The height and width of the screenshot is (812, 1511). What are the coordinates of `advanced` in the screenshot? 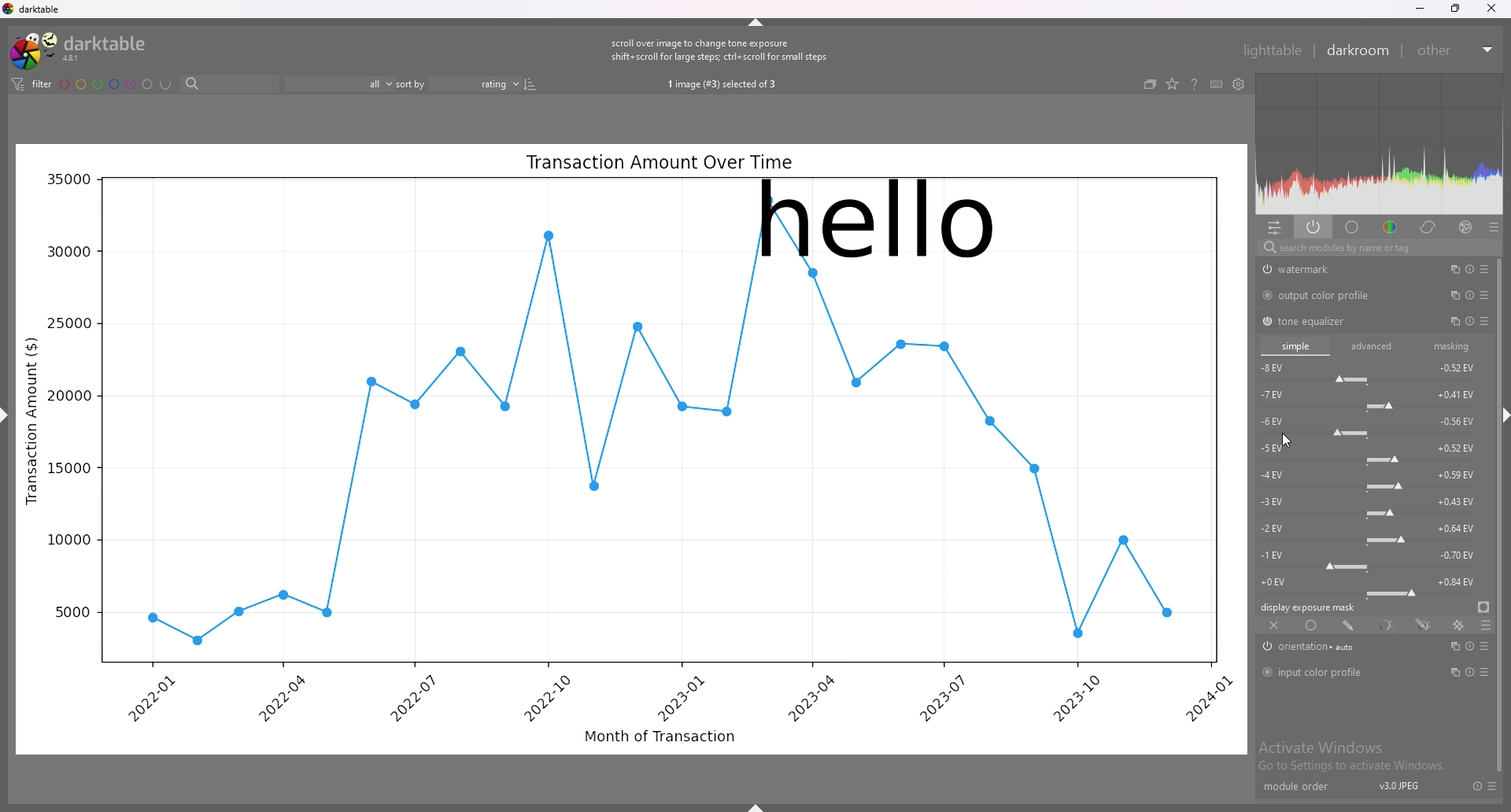 It's located at (1372, 346).